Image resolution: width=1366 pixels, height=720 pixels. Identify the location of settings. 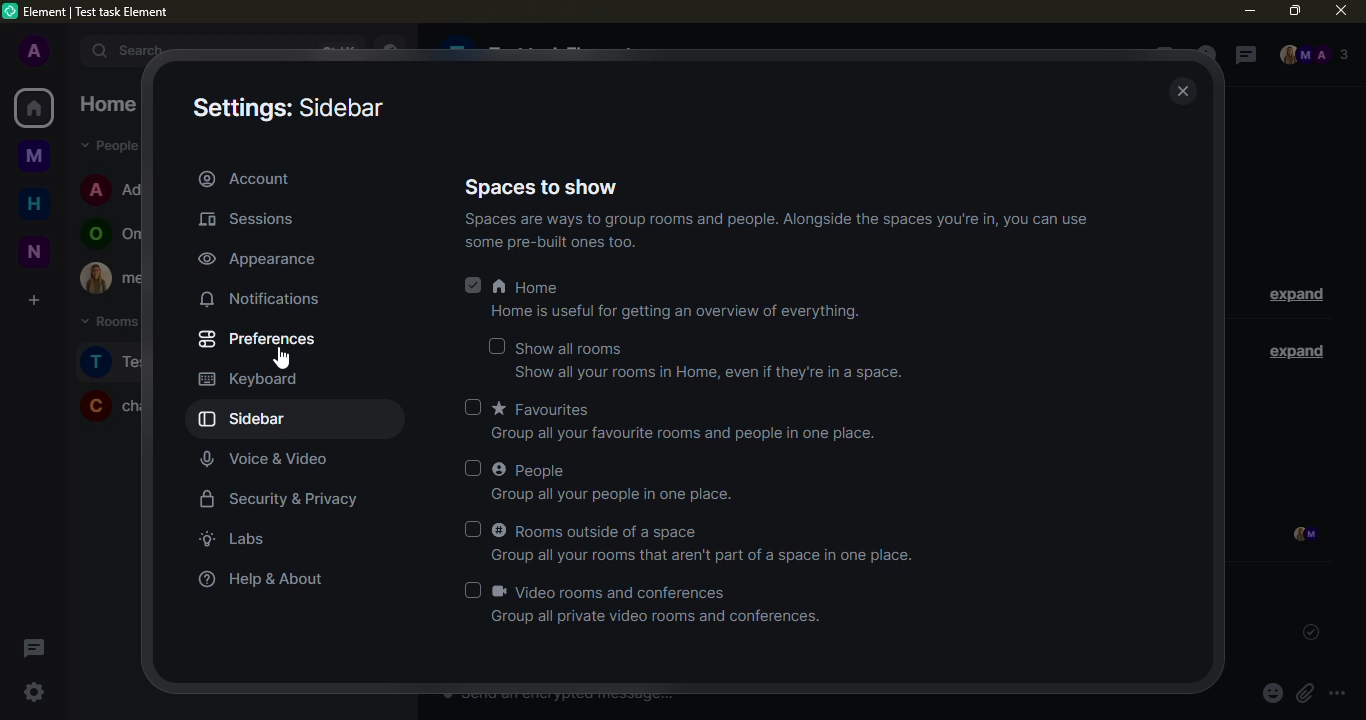
(291, 108).